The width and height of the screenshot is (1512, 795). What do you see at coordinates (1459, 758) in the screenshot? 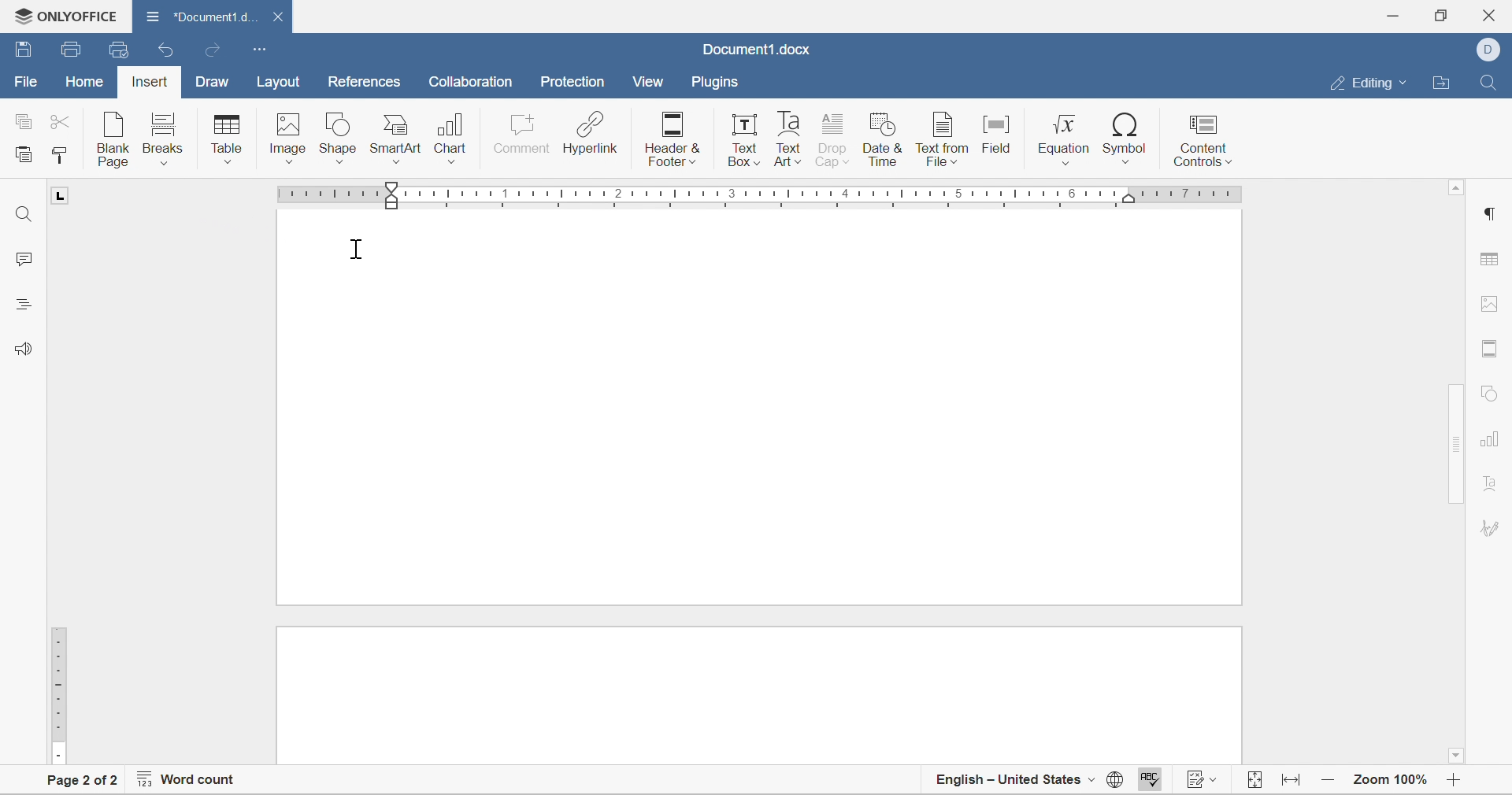
I see `Scroll down` at bounding box center [1459, 758].